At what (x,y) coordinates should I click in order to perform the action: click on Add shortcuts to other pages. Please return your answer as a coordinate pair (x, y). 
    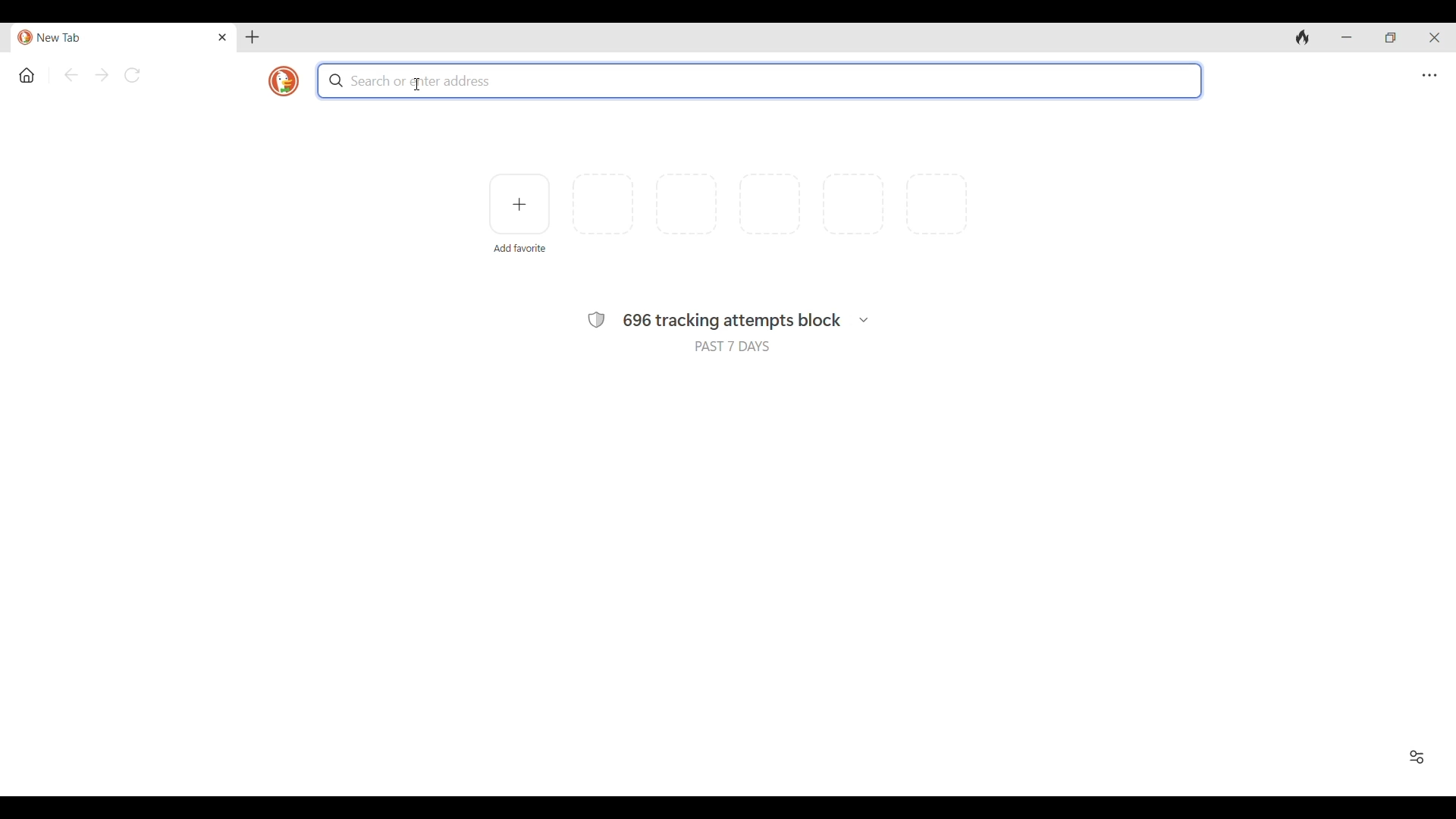
    Looking at the image, I should click on (519, 204).